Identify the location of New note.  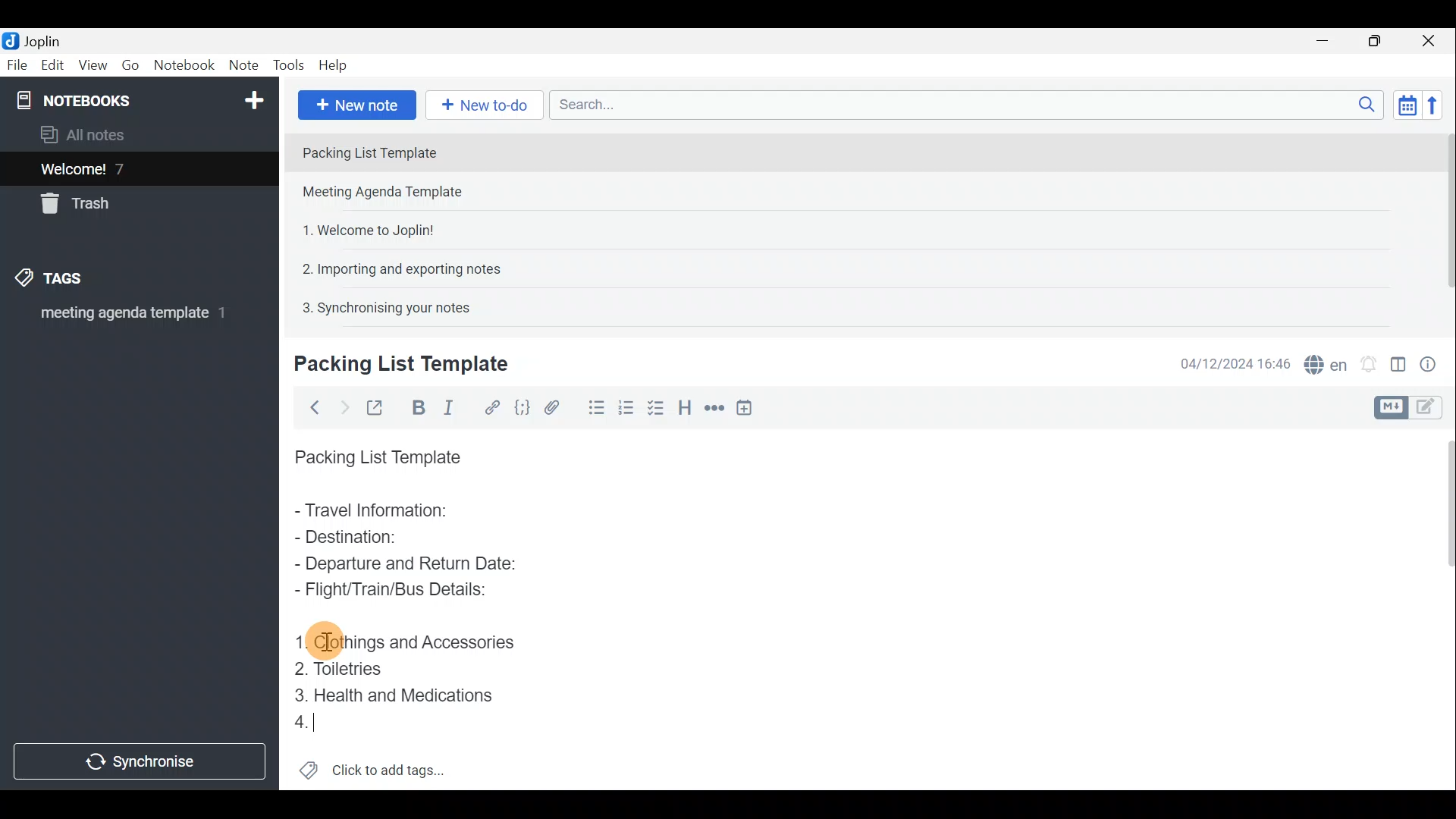
(356, 103).